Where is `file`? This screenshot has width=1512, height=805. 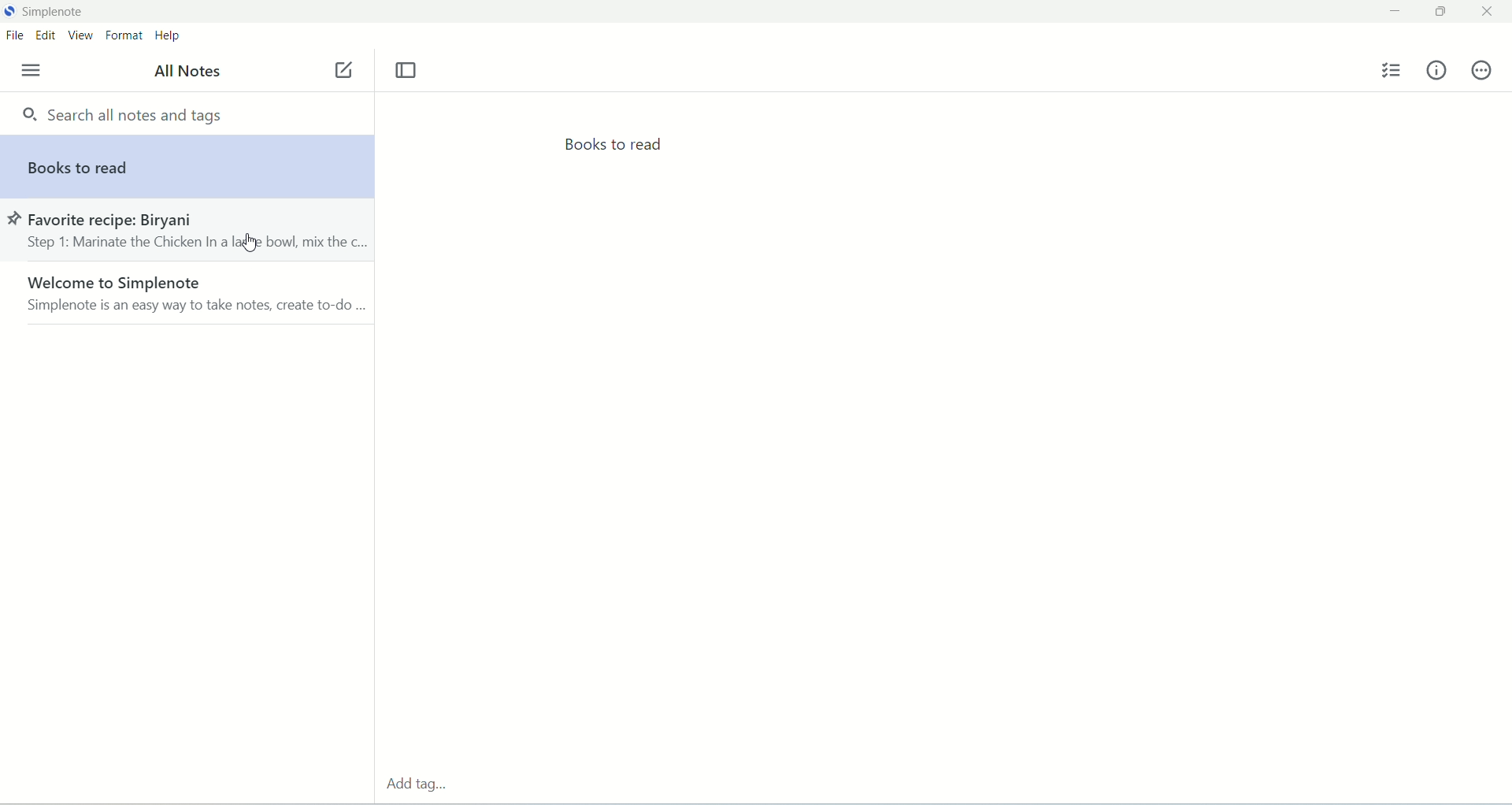 file is located at coordinates (13, 38).